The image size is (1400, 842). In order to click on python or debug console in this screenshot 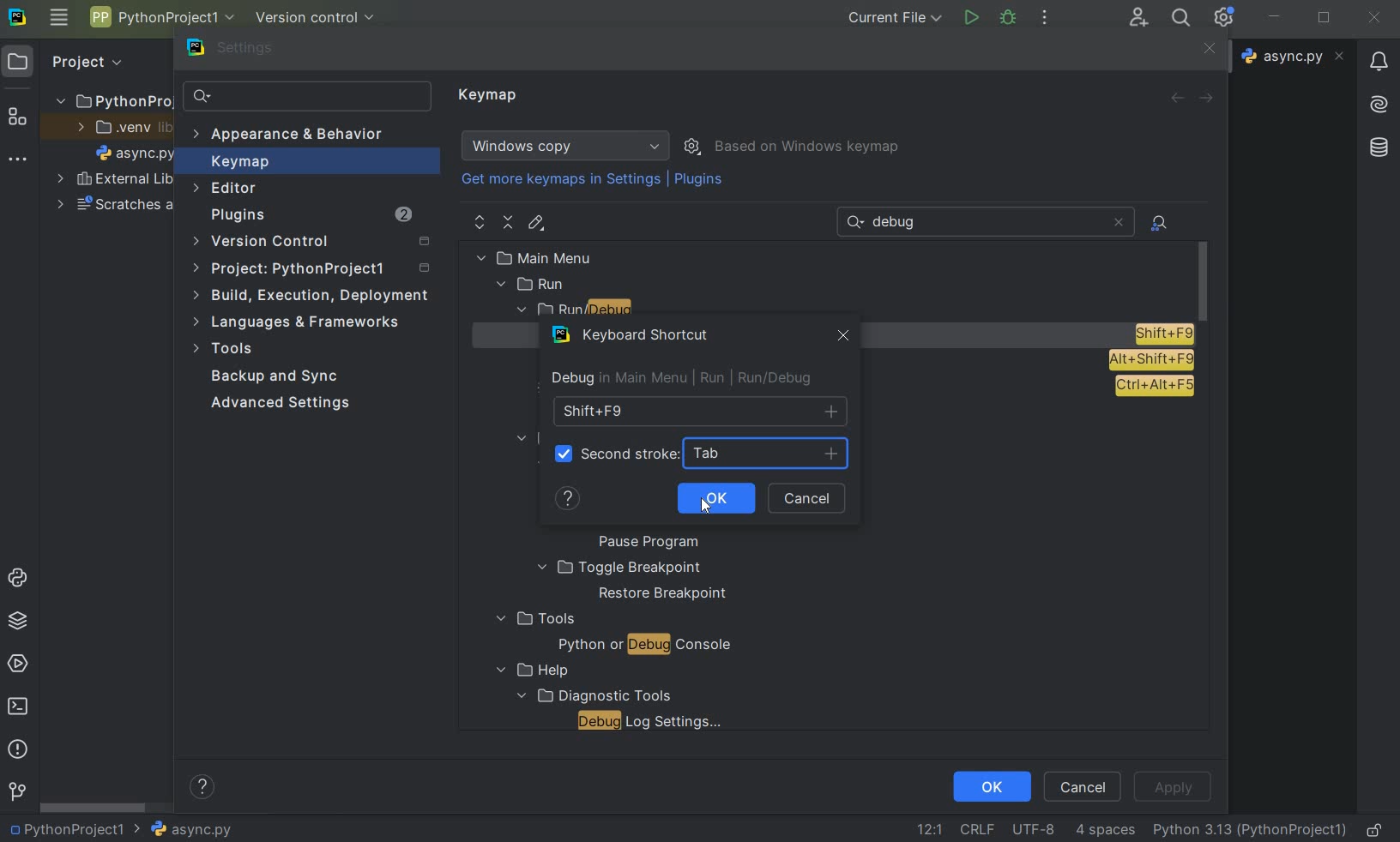, I will do `click(644, 647)`.